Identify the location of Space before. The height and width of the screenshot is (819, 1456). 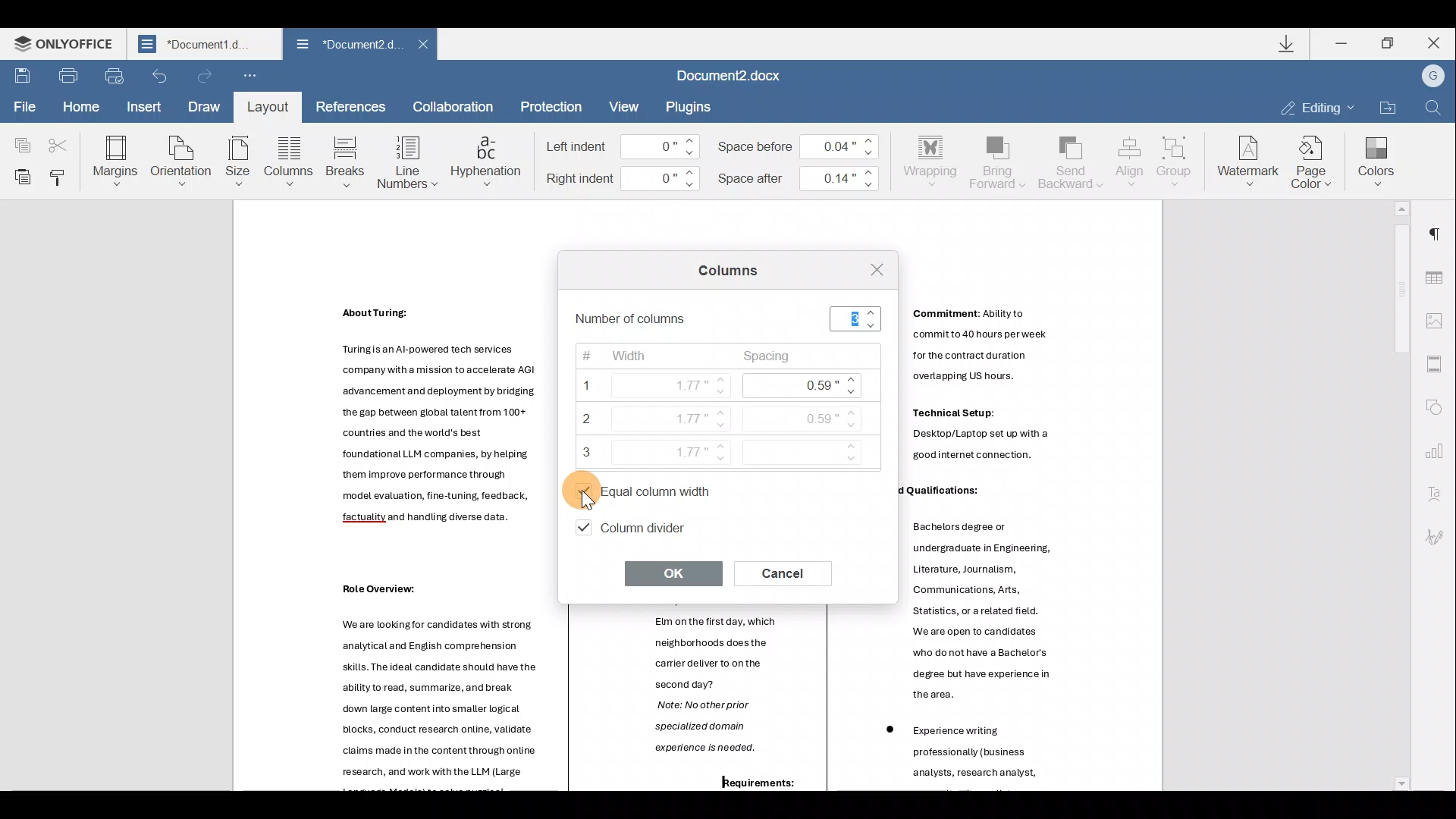
(804, 143).